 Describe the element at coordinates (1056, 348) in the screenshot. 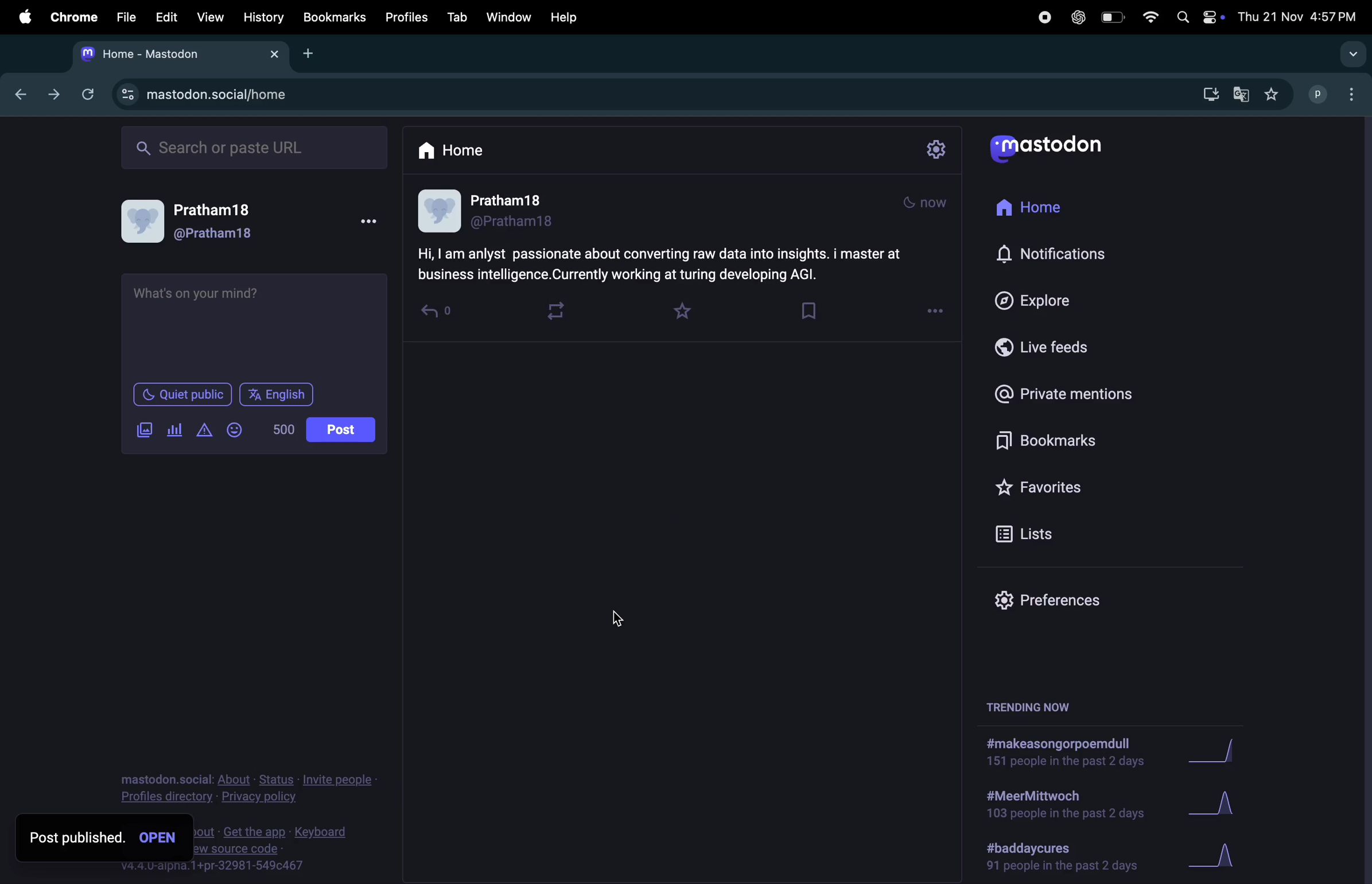

I see `live feeds` at that location.